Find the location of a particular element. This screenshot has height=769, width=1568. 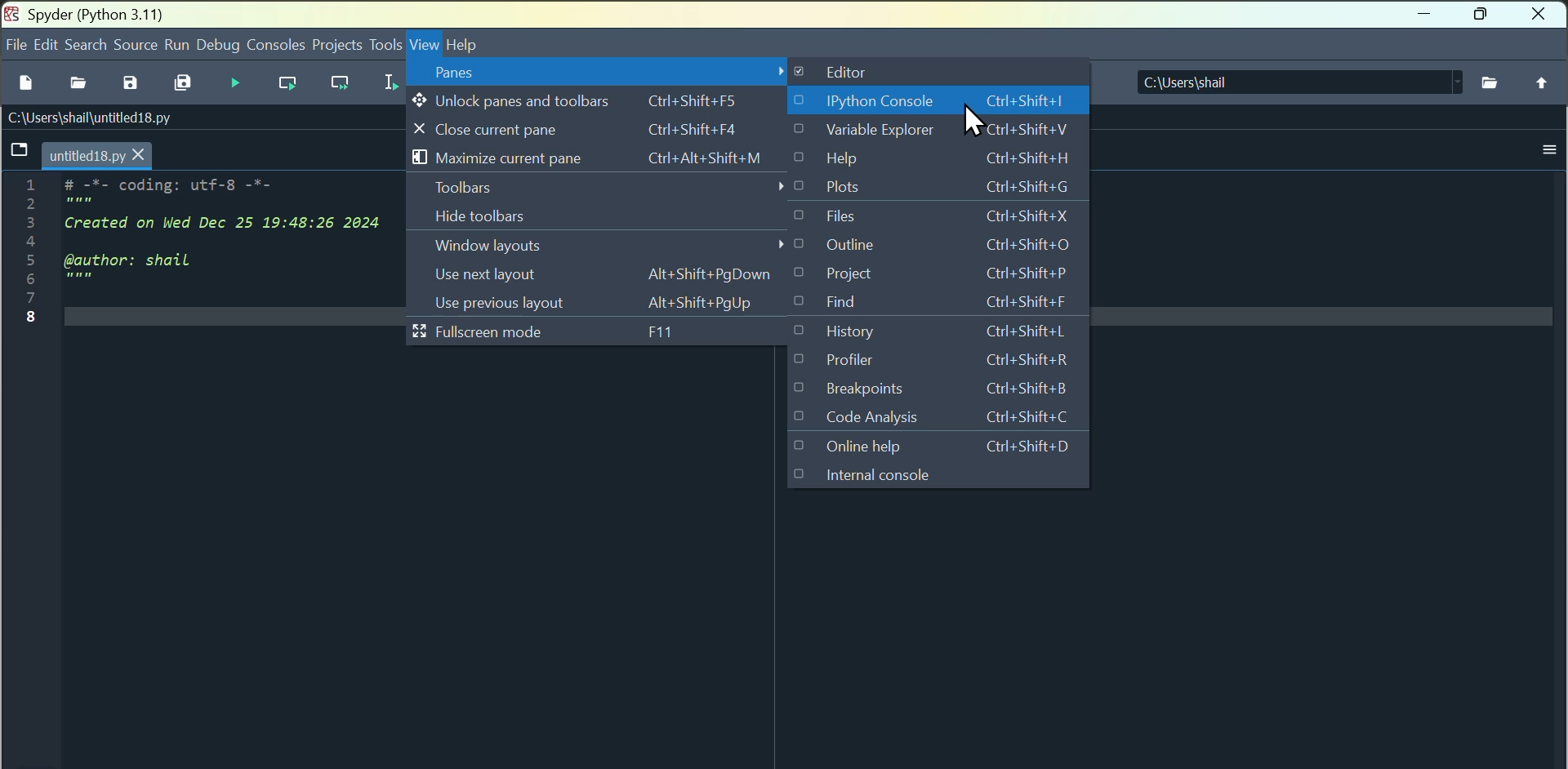

Search is located at coordinates (87, 45).